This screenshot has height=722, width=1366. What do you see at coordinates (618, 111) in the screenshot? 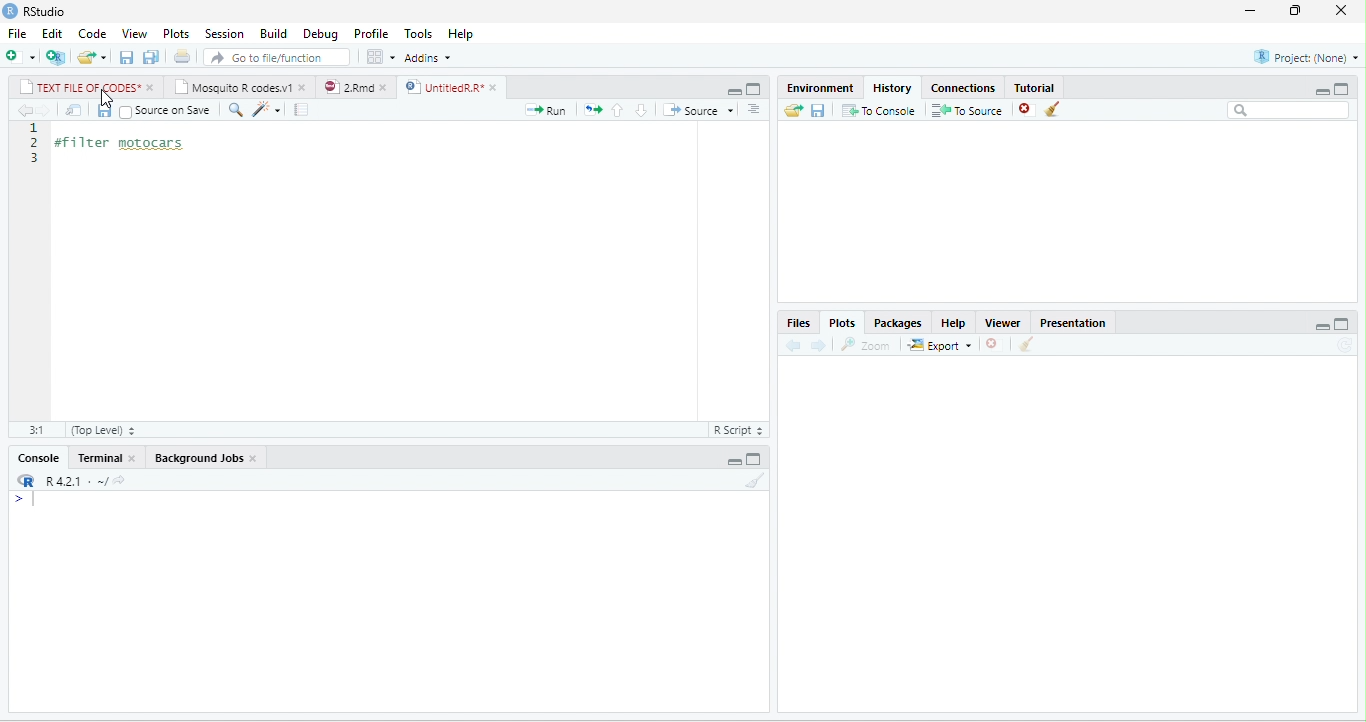
I see `up` at bounding box center [618, 111].